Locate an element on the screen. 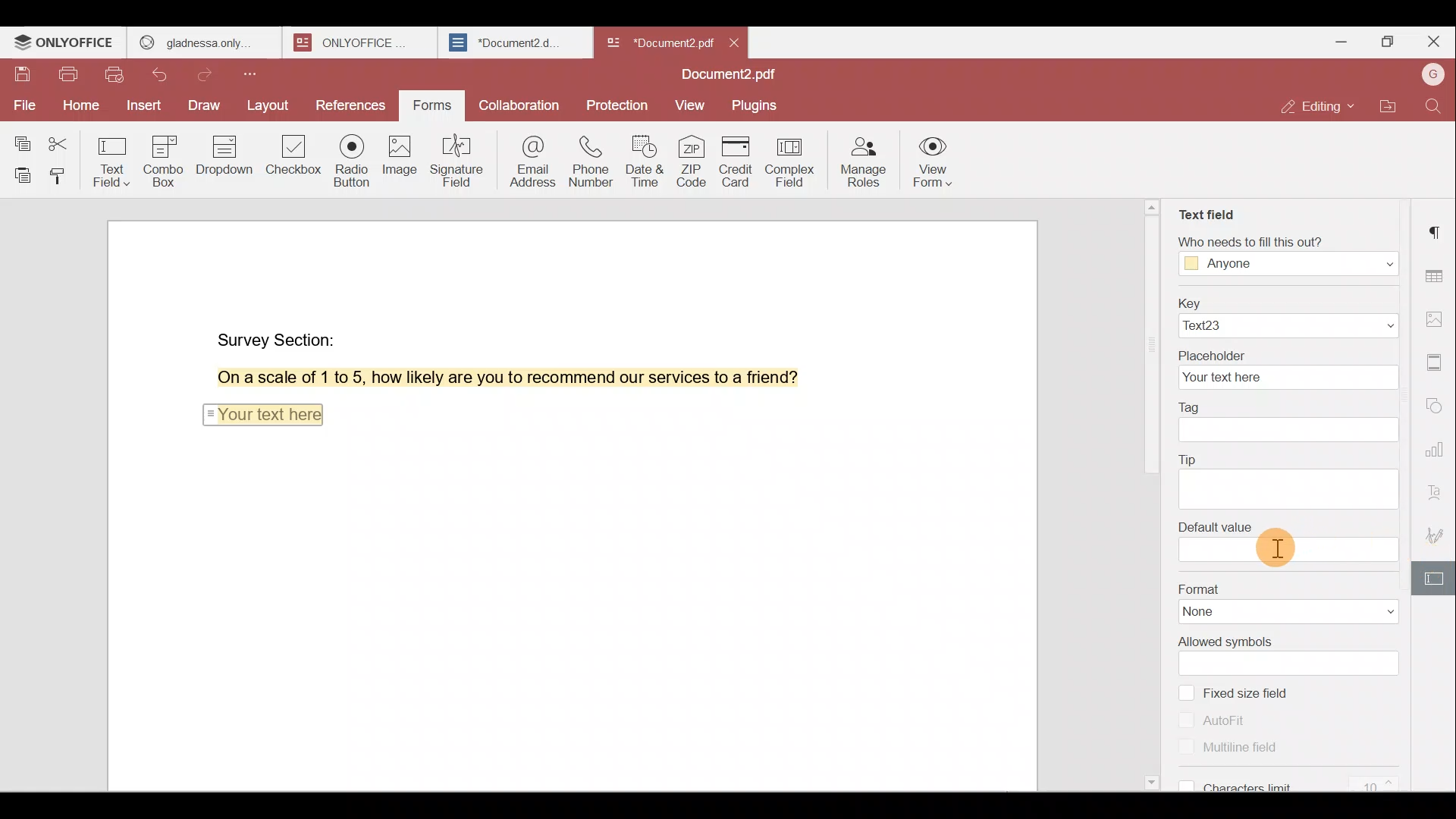  Fixed size field is located at coordinates (1260, 692).